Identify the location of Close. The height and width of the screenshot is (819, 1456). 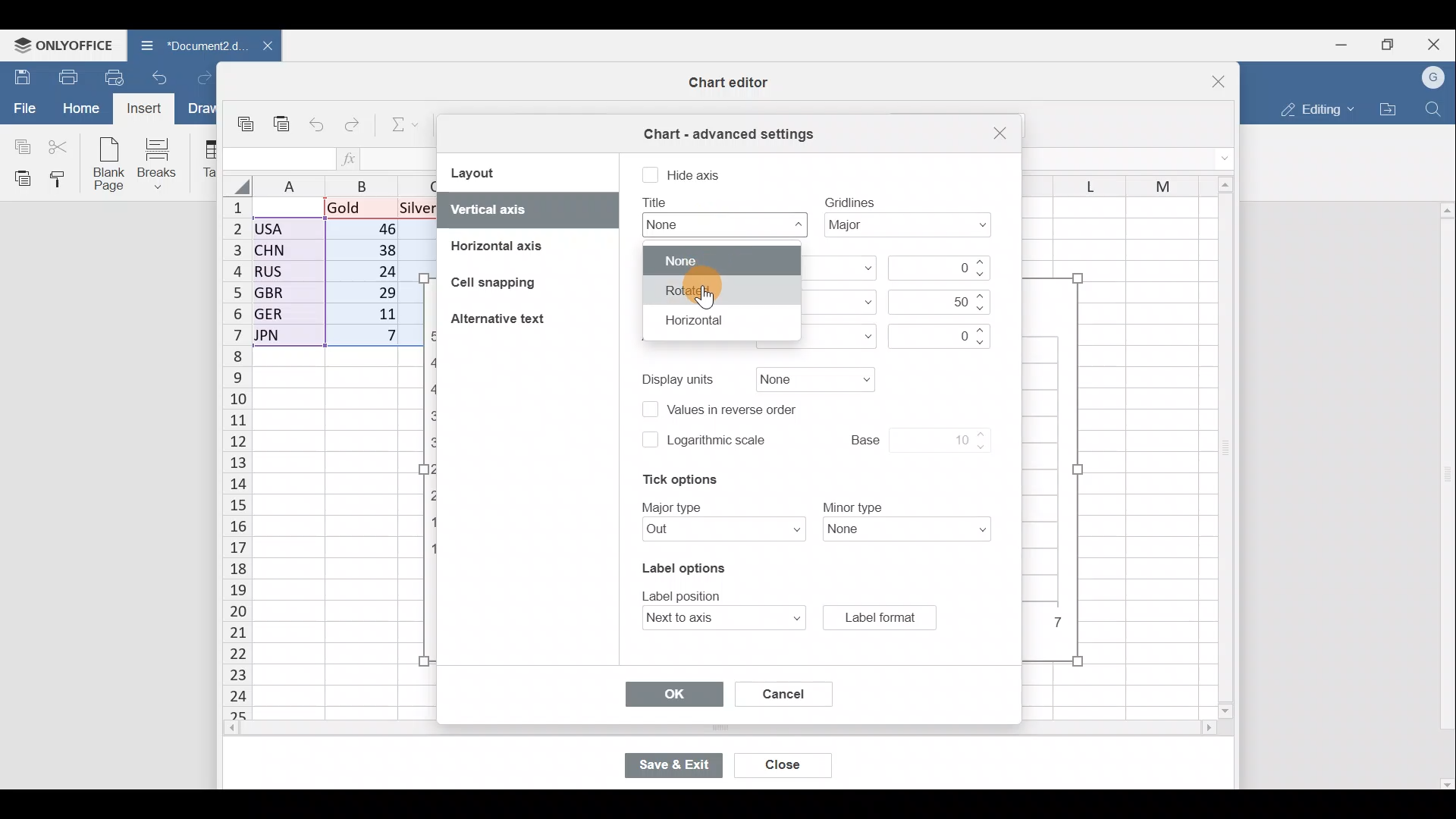
(1436, 42).